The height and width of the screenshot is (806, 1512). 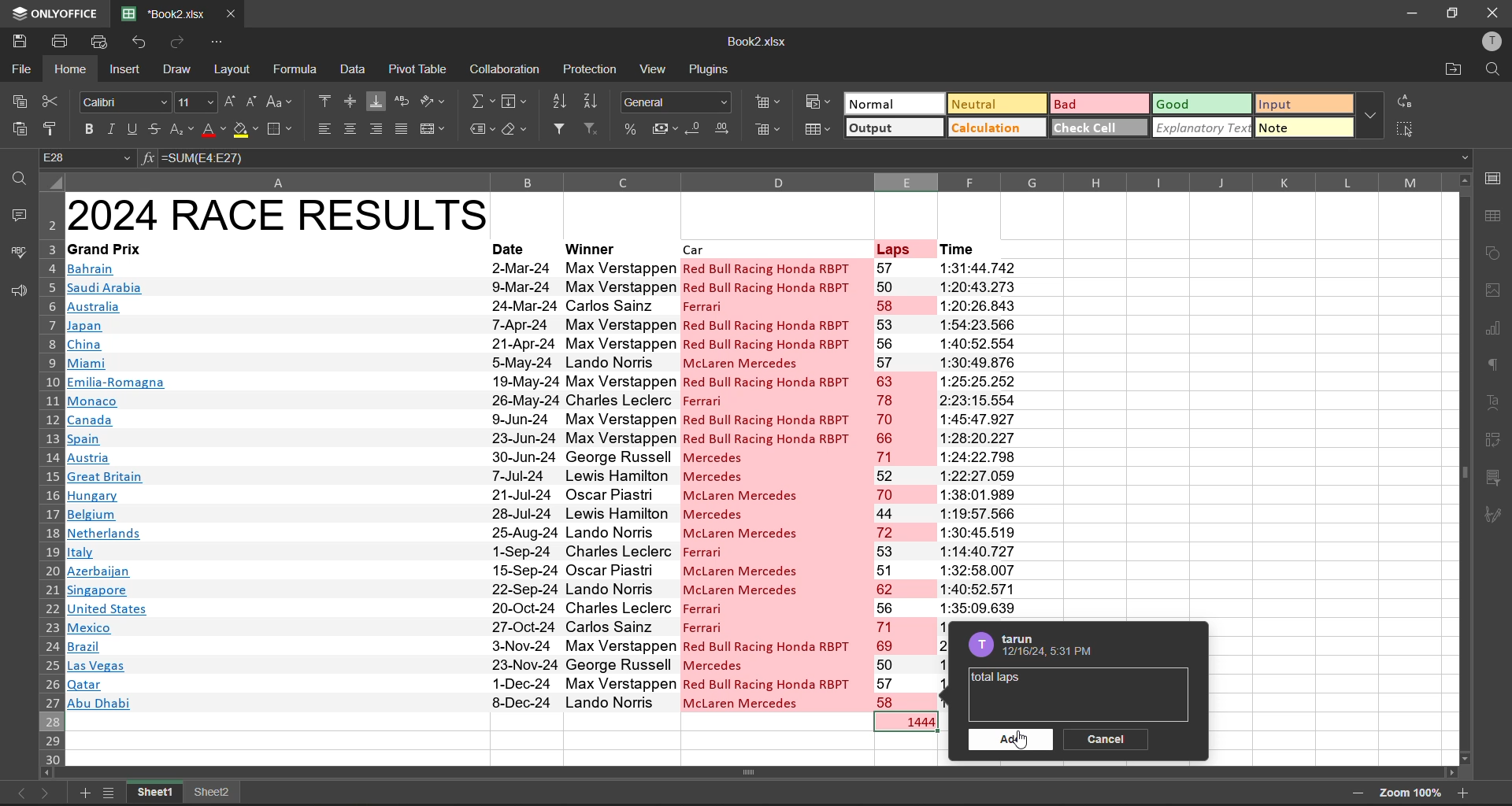 What do you see at coordinates (589, 128) in the screenshot?
I see `clear filter` at bounding box center [589, 128].